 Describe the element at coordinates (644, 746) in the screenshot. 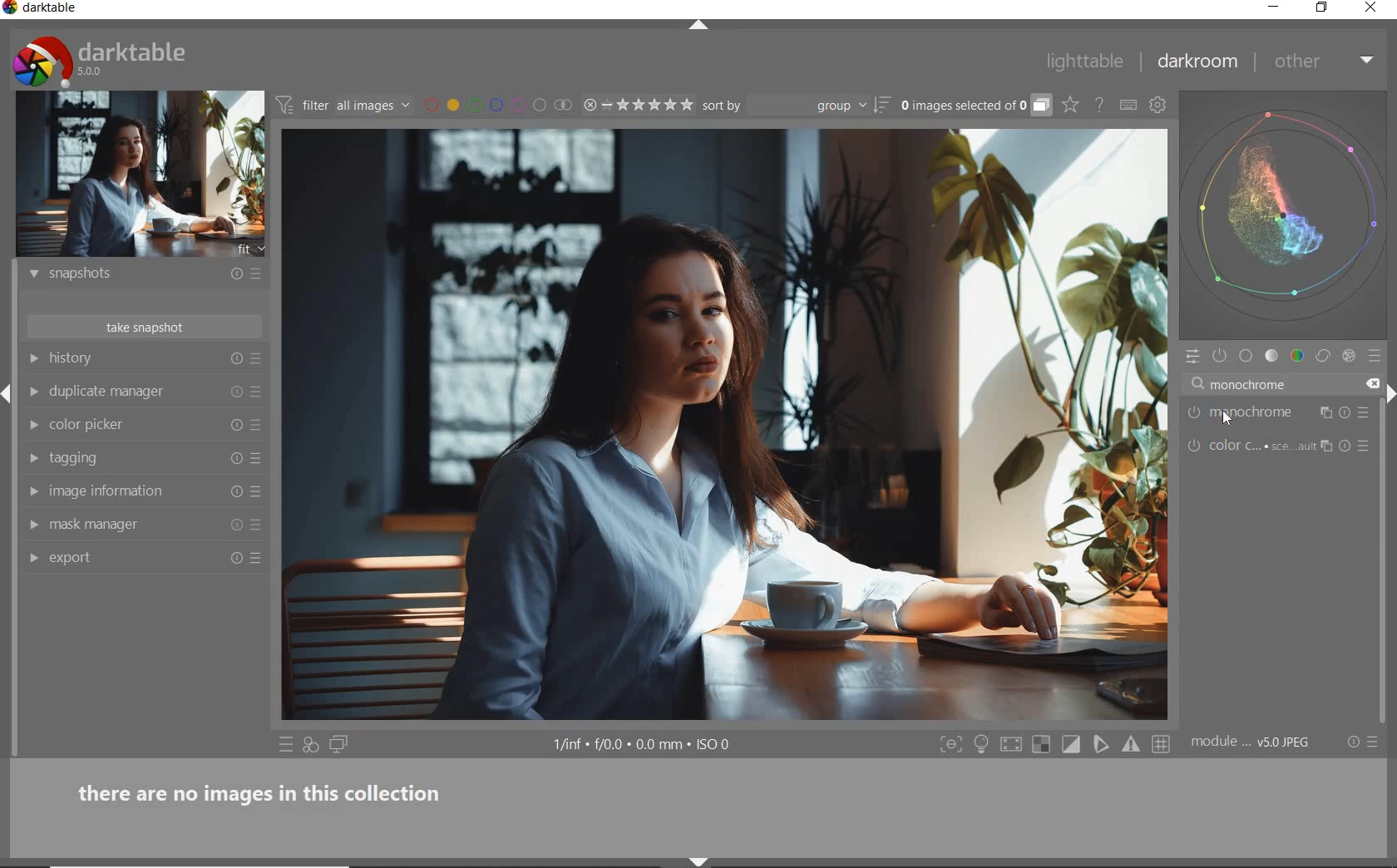

I see `display information` at that location.